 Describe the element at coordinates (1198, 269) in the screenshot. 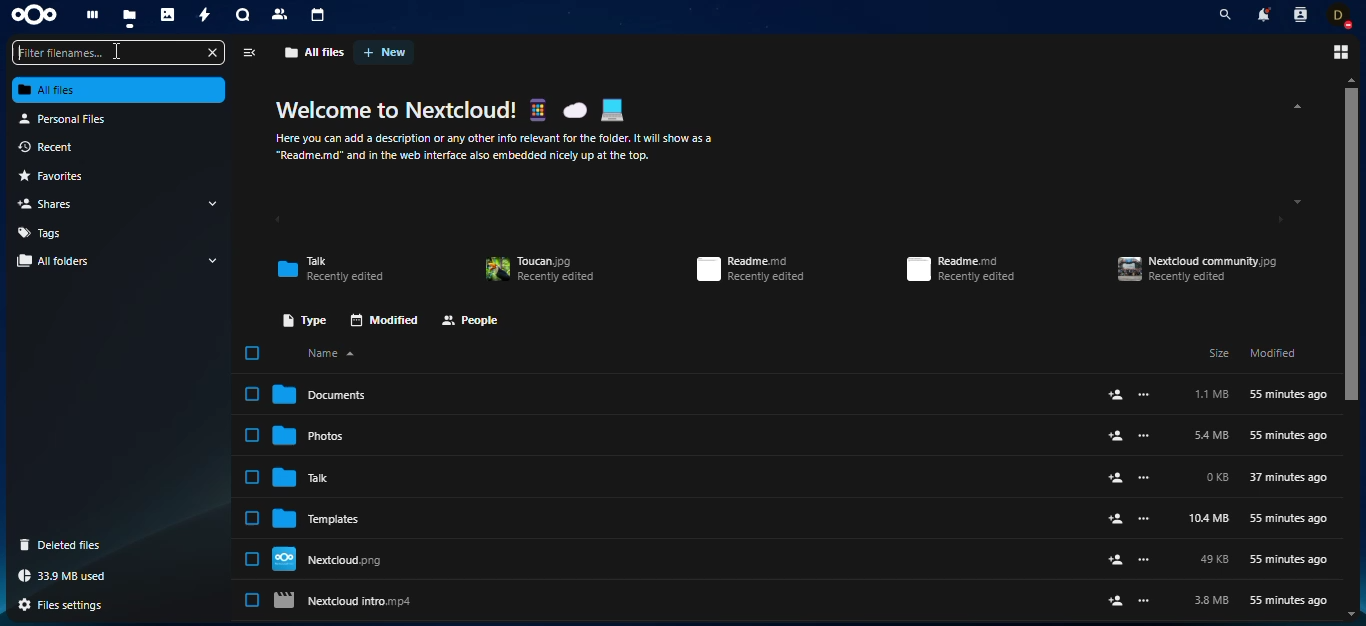

I see `Nextdoud community.jpg Recently edited` at that location.